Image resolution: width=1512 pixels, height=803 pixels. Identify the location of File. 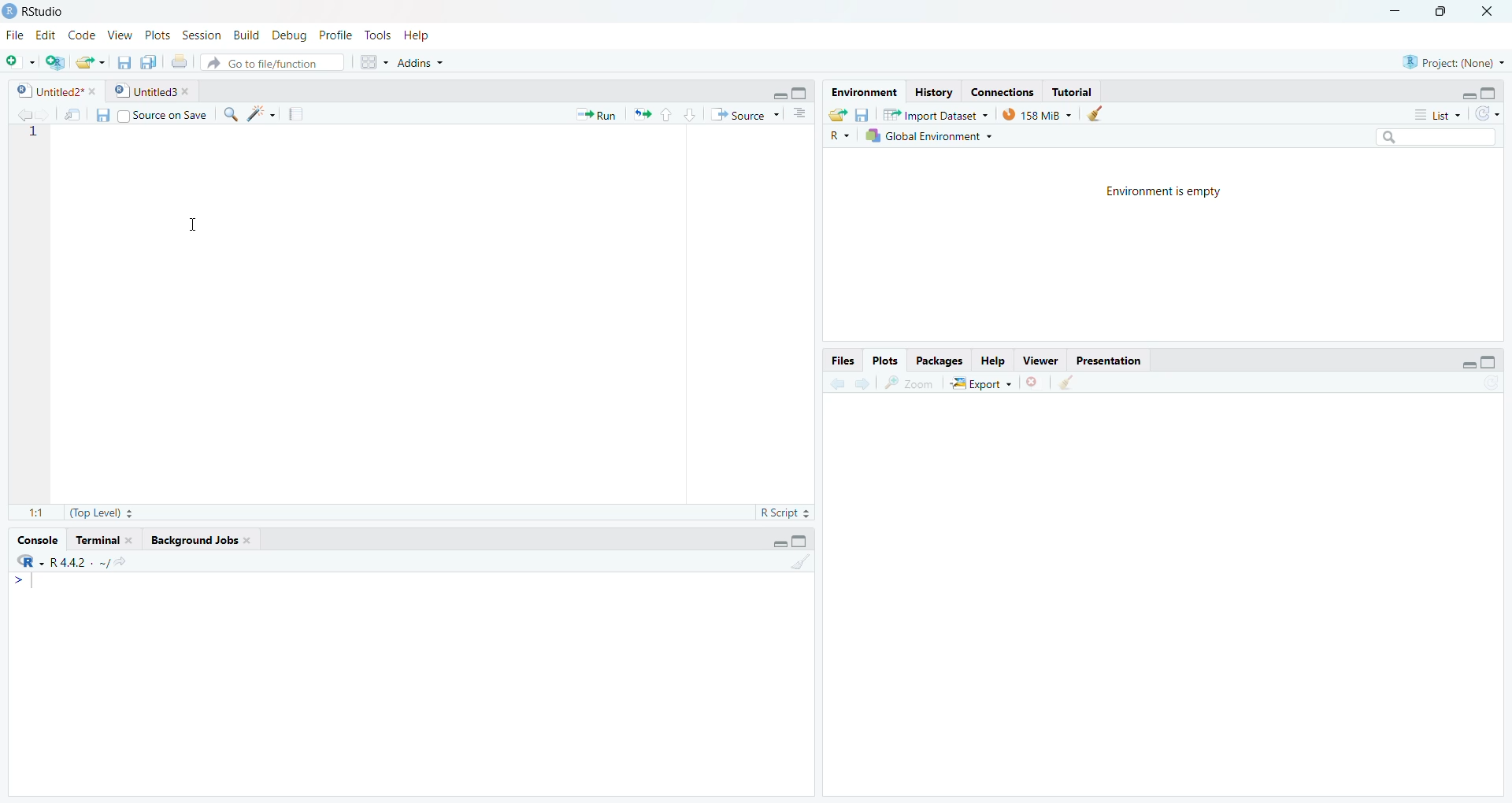
(13, 35).